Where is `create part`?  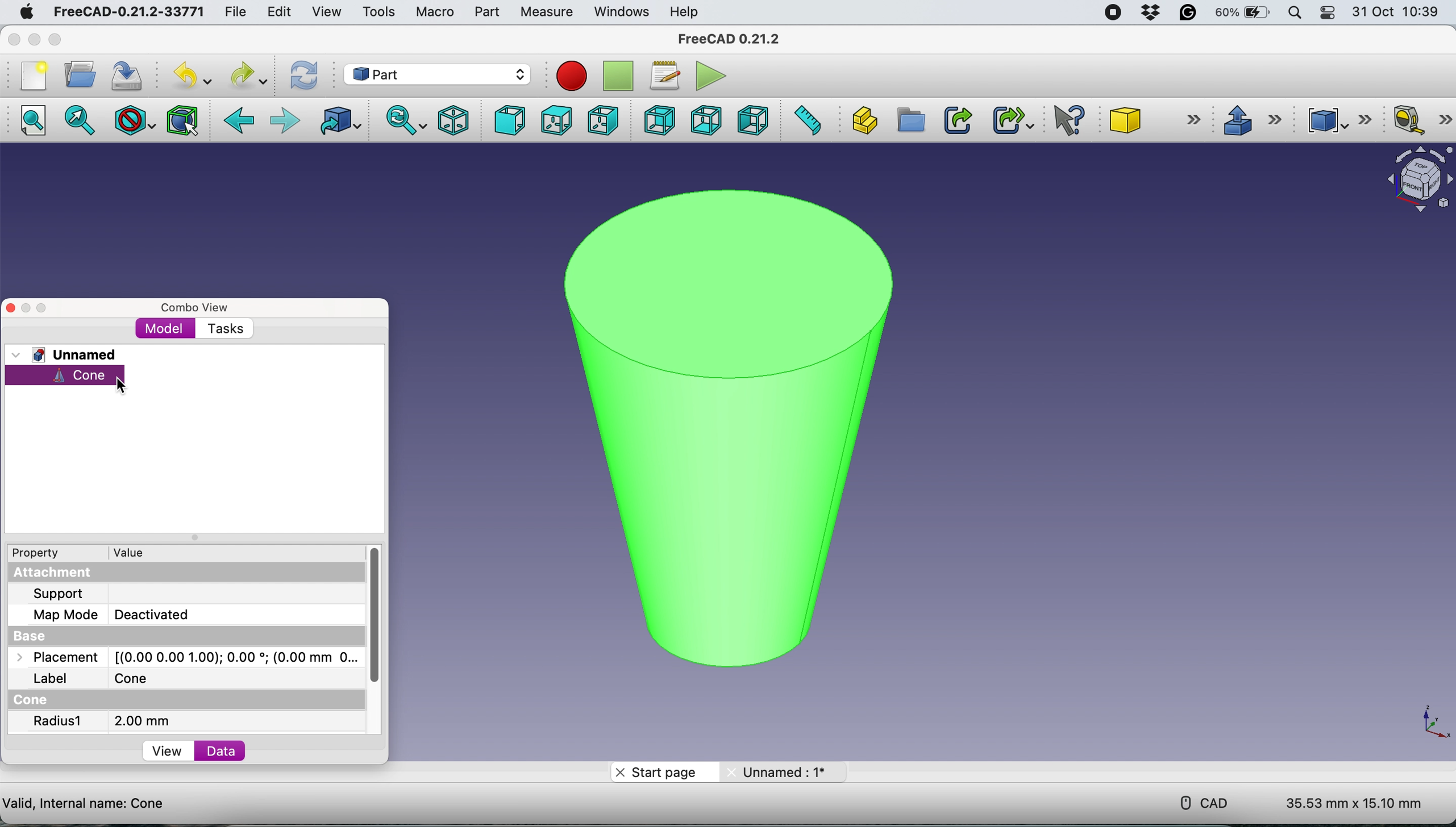
create part is located at coordinates (864, 119).